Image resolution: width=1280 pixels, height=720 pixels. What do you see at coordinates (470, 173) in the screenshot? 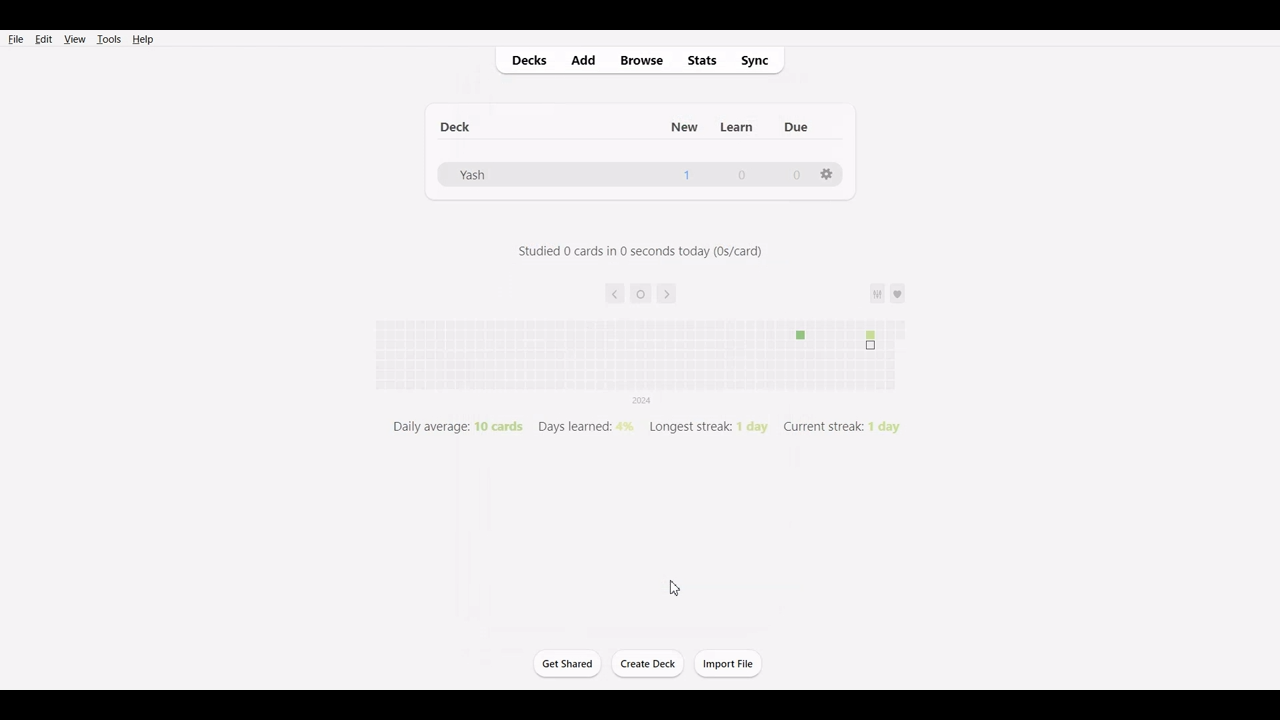
I see `Yash` at bounding box center [470, 173].